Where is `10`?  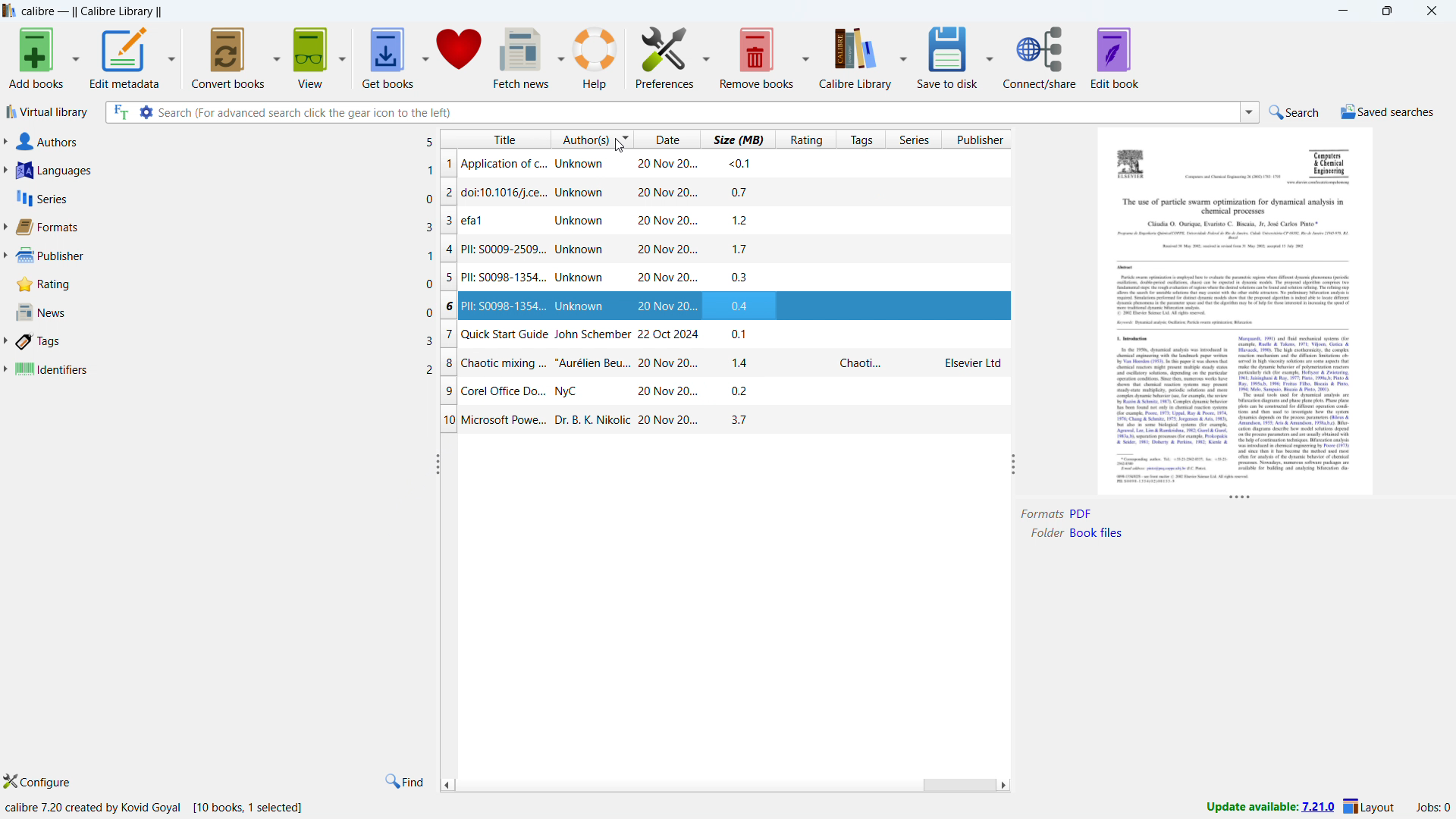 10 is located at coordinates (447, 419).